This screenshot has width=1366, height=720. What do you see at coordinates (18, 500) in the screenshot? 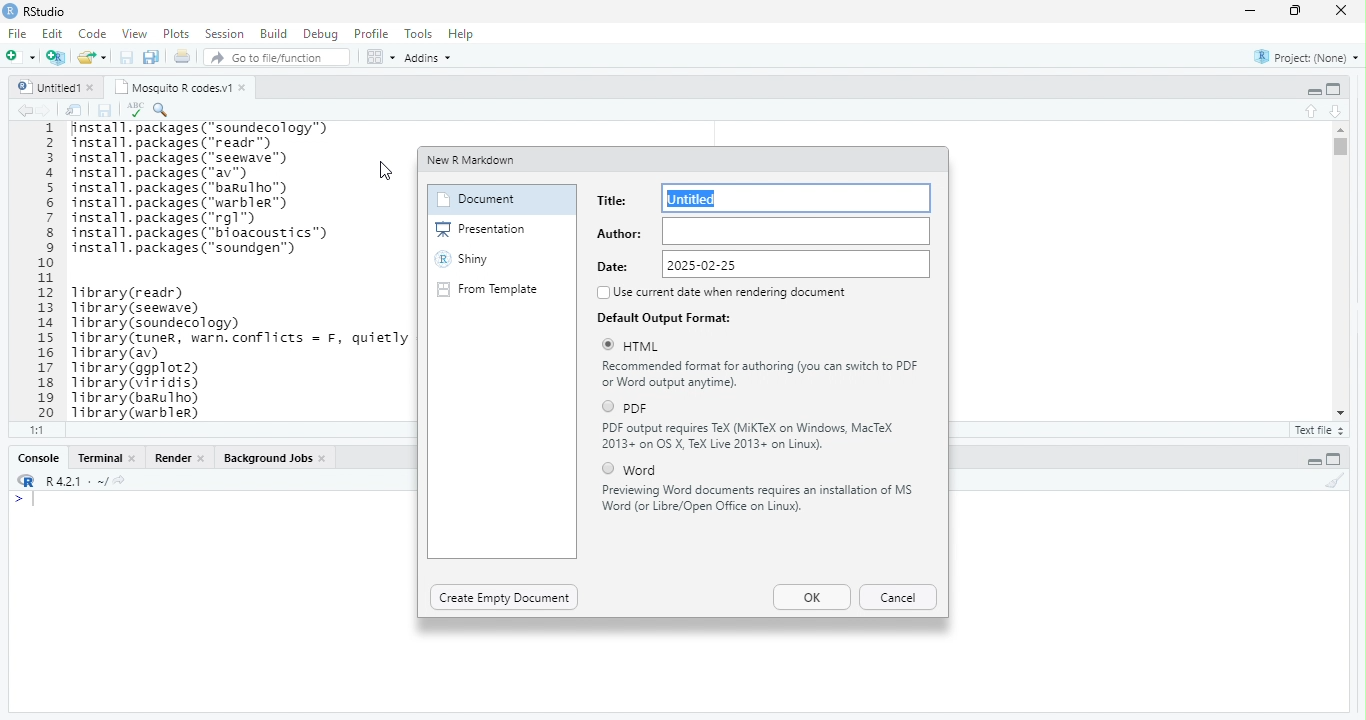
I see `>` at bounding box center [18, 500].